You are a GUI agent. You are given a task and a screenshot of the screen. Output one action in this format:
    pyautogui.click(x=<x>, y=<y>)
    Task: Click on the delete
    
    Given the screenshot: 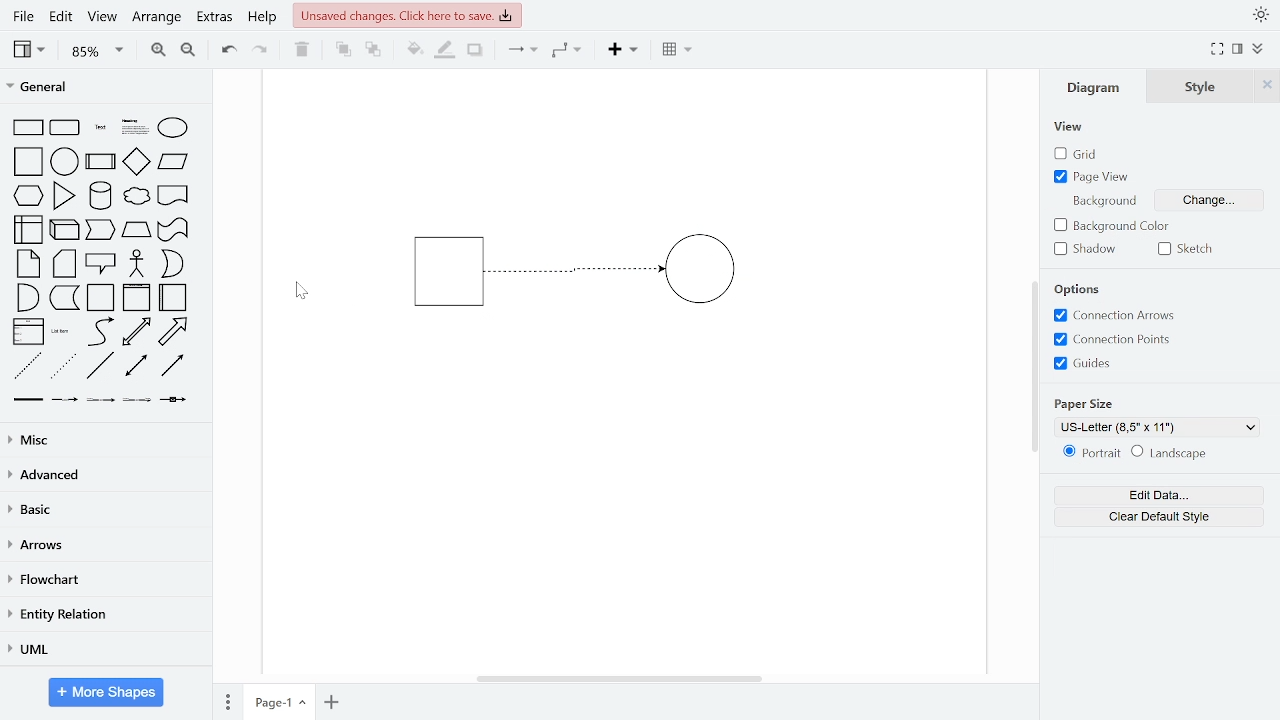 What is the action you would take?
    pyautogui.click(x=302, y=49)
    